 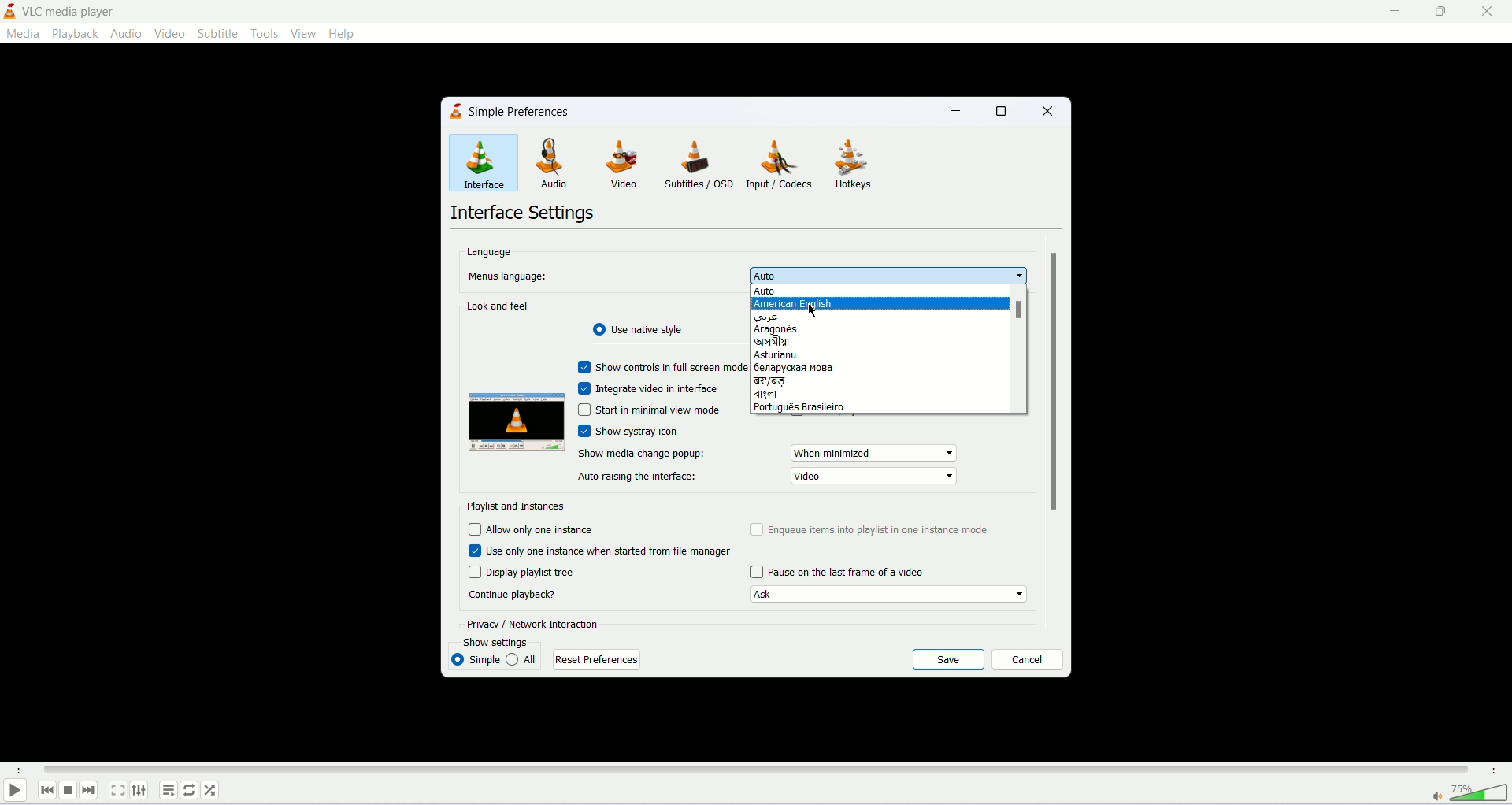 I want to click on show contrls, so click(x=662, y=365).